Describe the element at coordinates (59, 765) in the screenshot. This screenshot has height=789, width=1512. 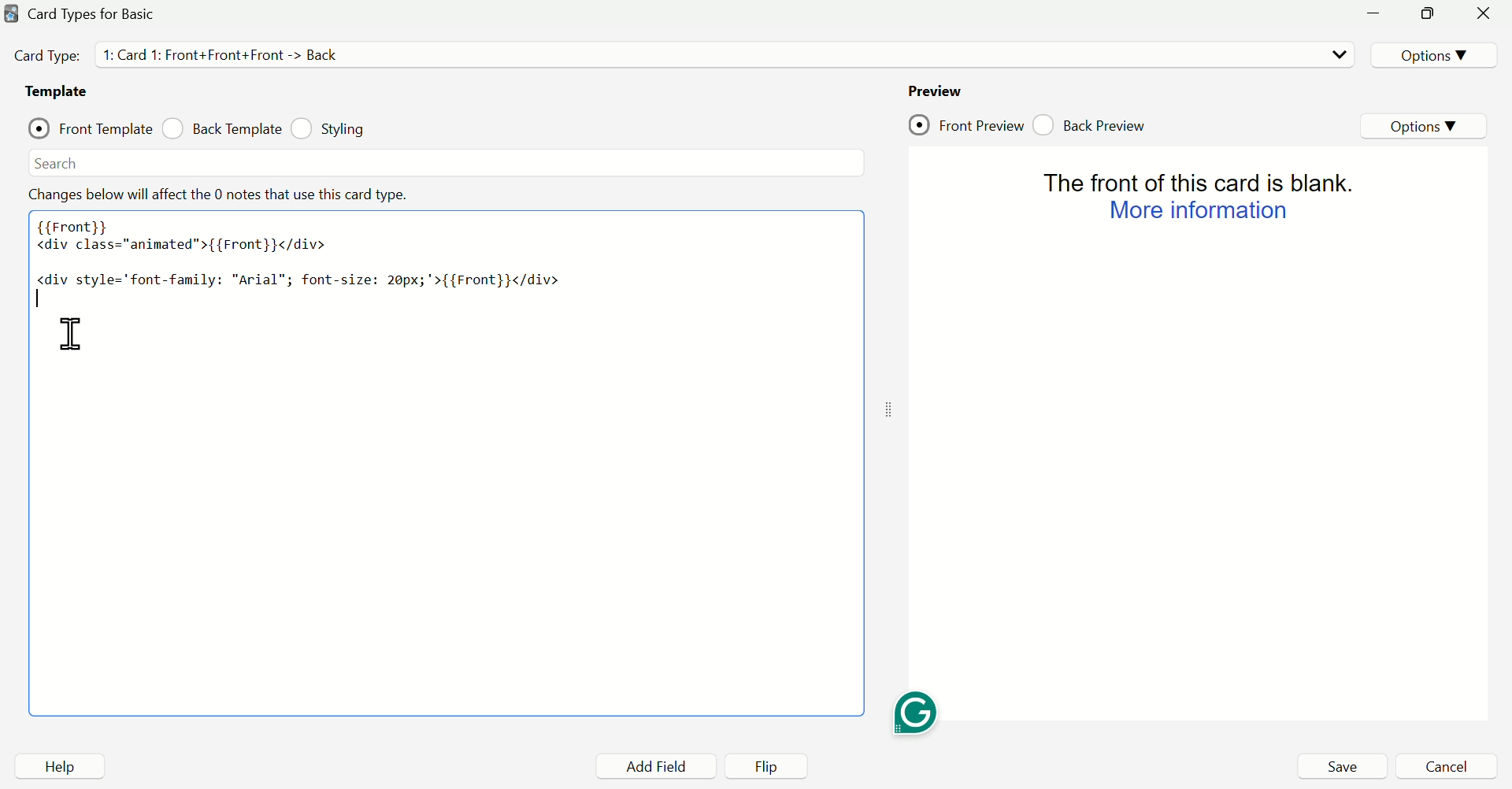
I see `Help` at that location.